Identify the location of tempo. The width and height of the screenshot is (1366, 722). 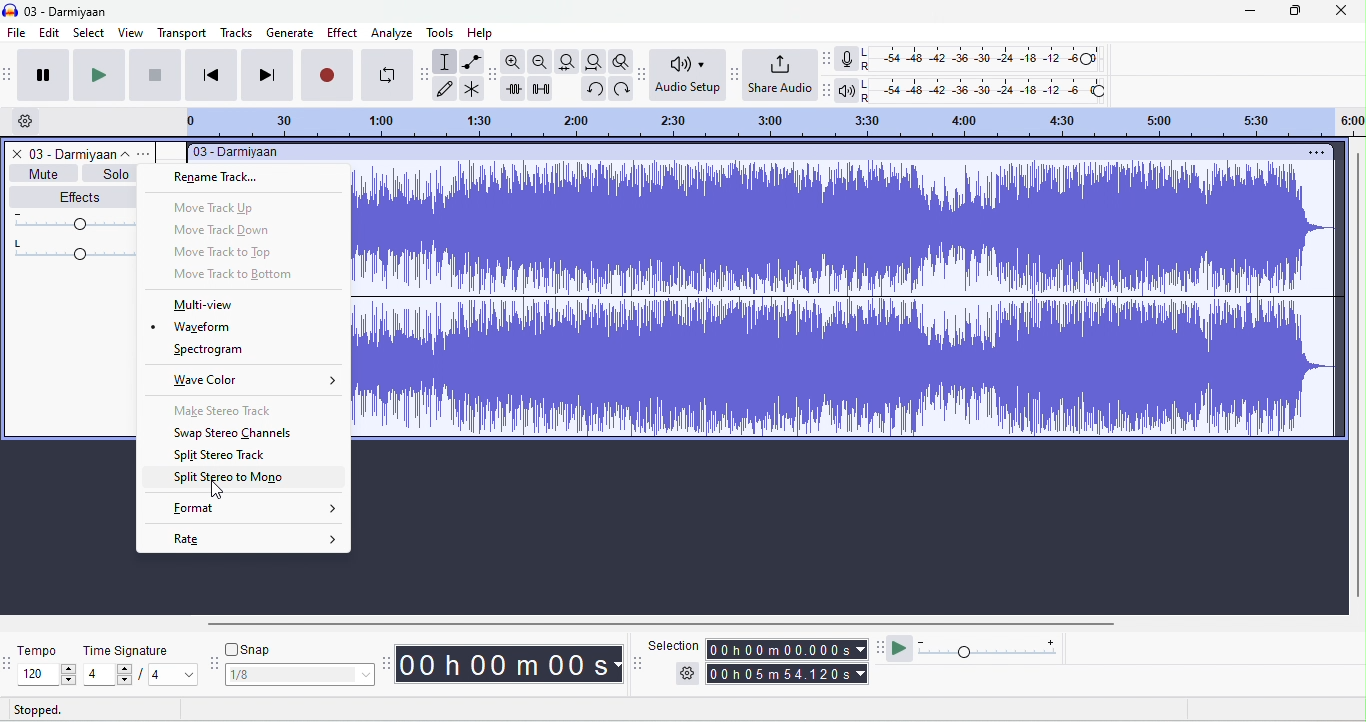
(38, 650).